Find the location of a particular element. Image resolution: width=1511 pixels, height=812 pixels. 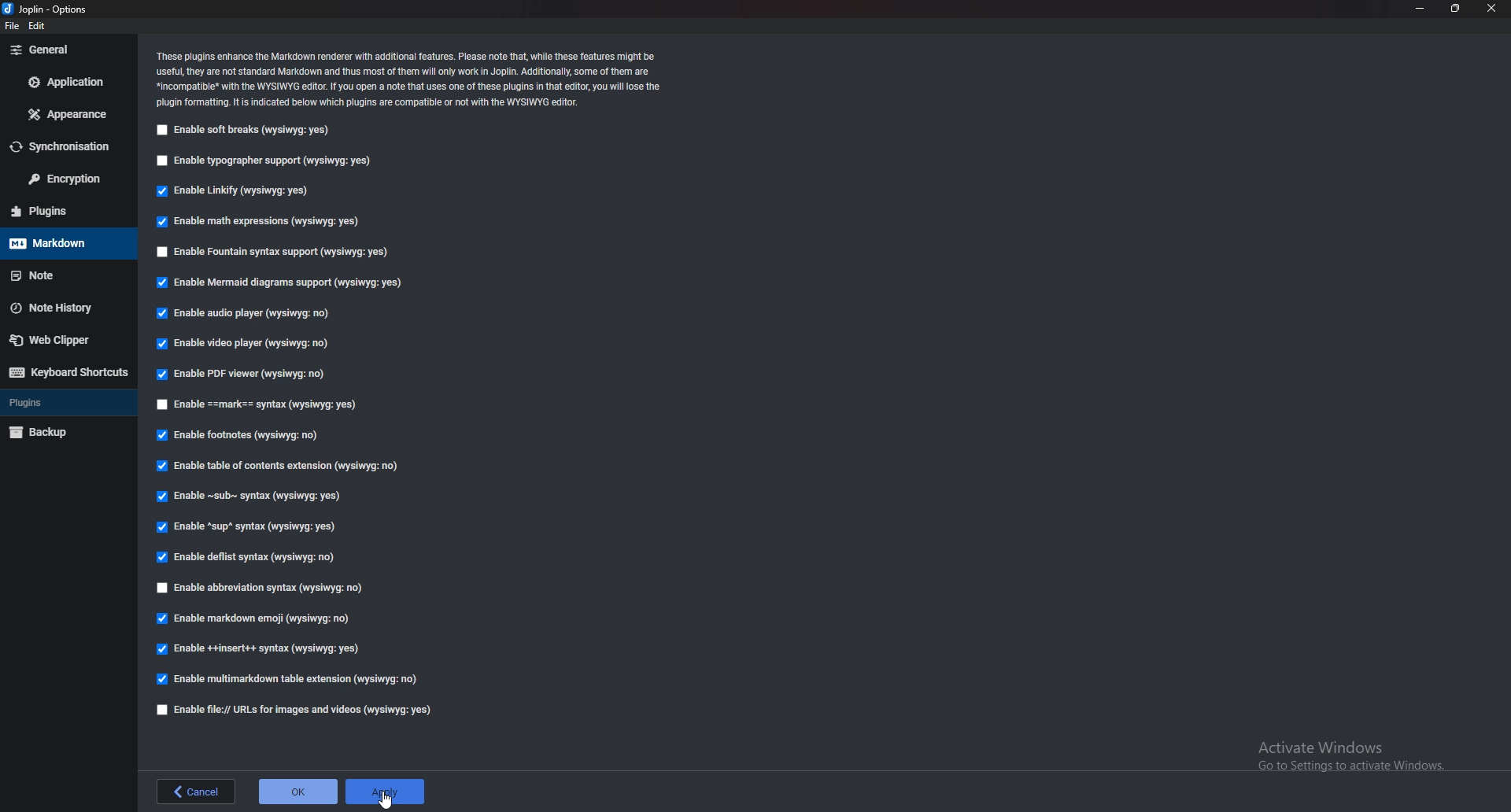

Enable video player is located at coordinates (253, 342).